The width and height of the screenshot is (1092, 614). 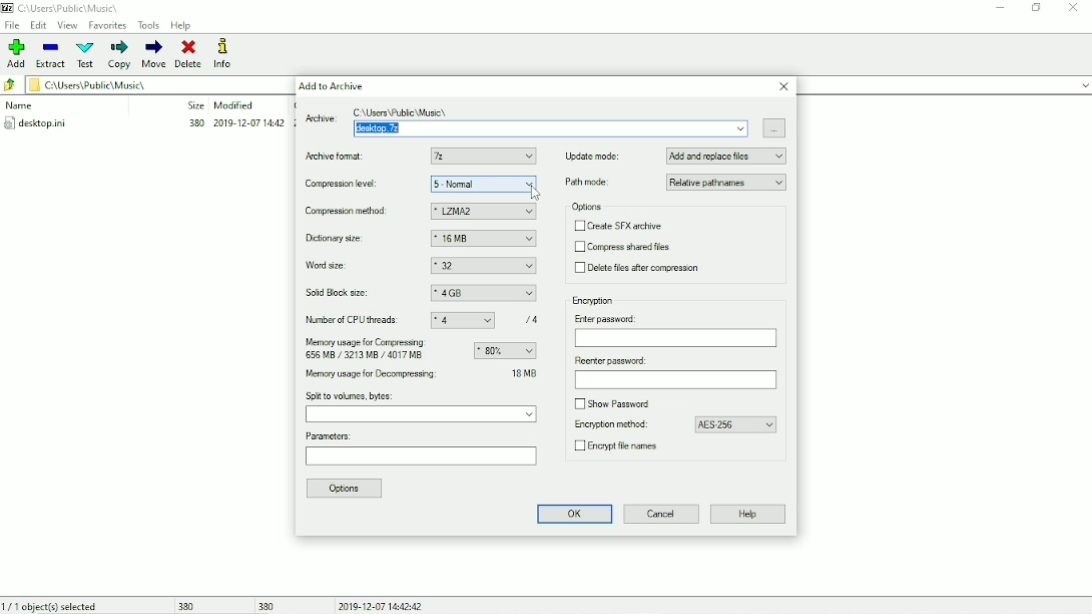 I want to click on Memory usage for decompressing, so click(x=396, y=375).